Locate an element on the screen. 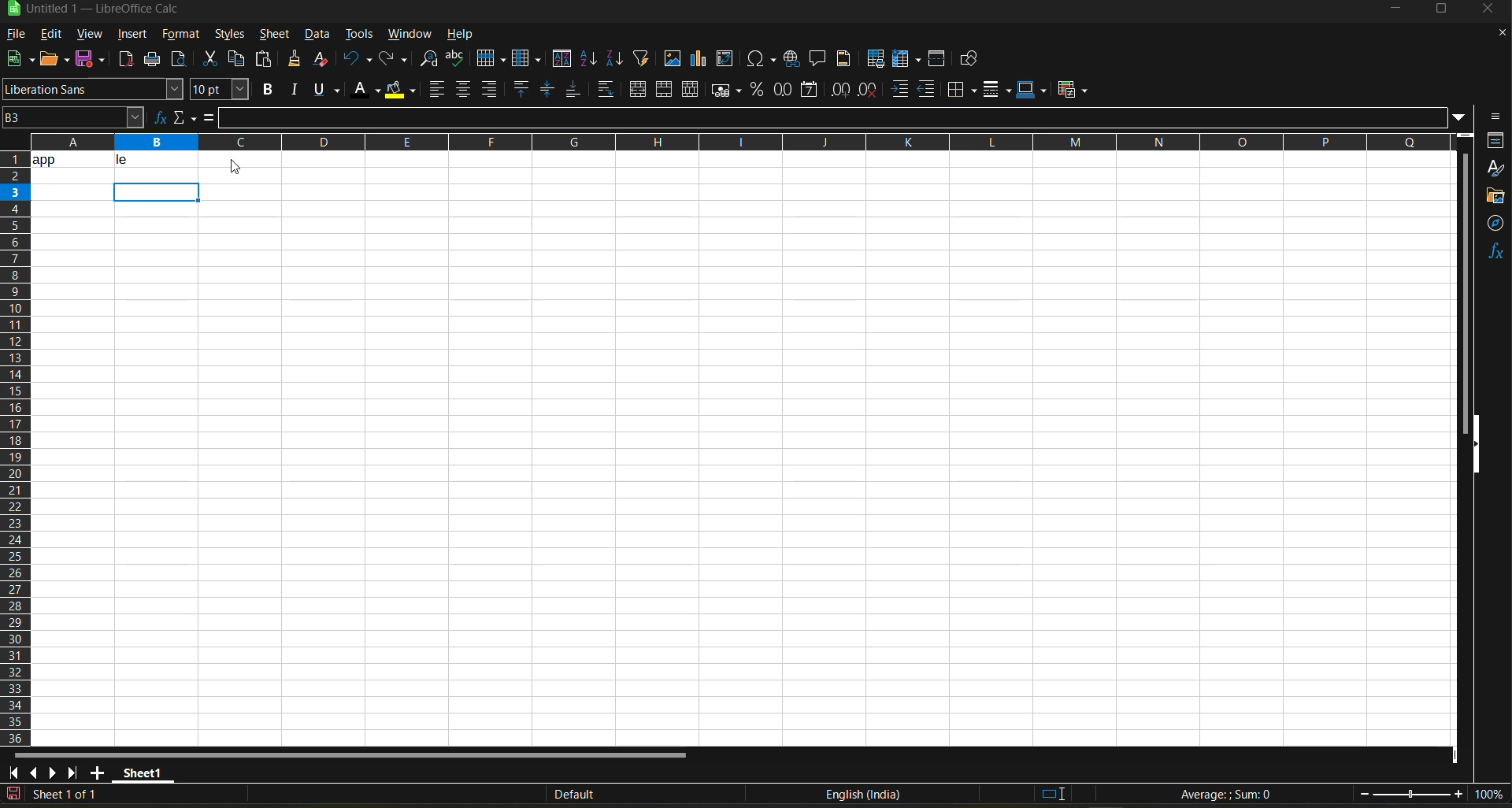 This screenshot has width=1512, height=808. input line is located at coordinates (835, 118).